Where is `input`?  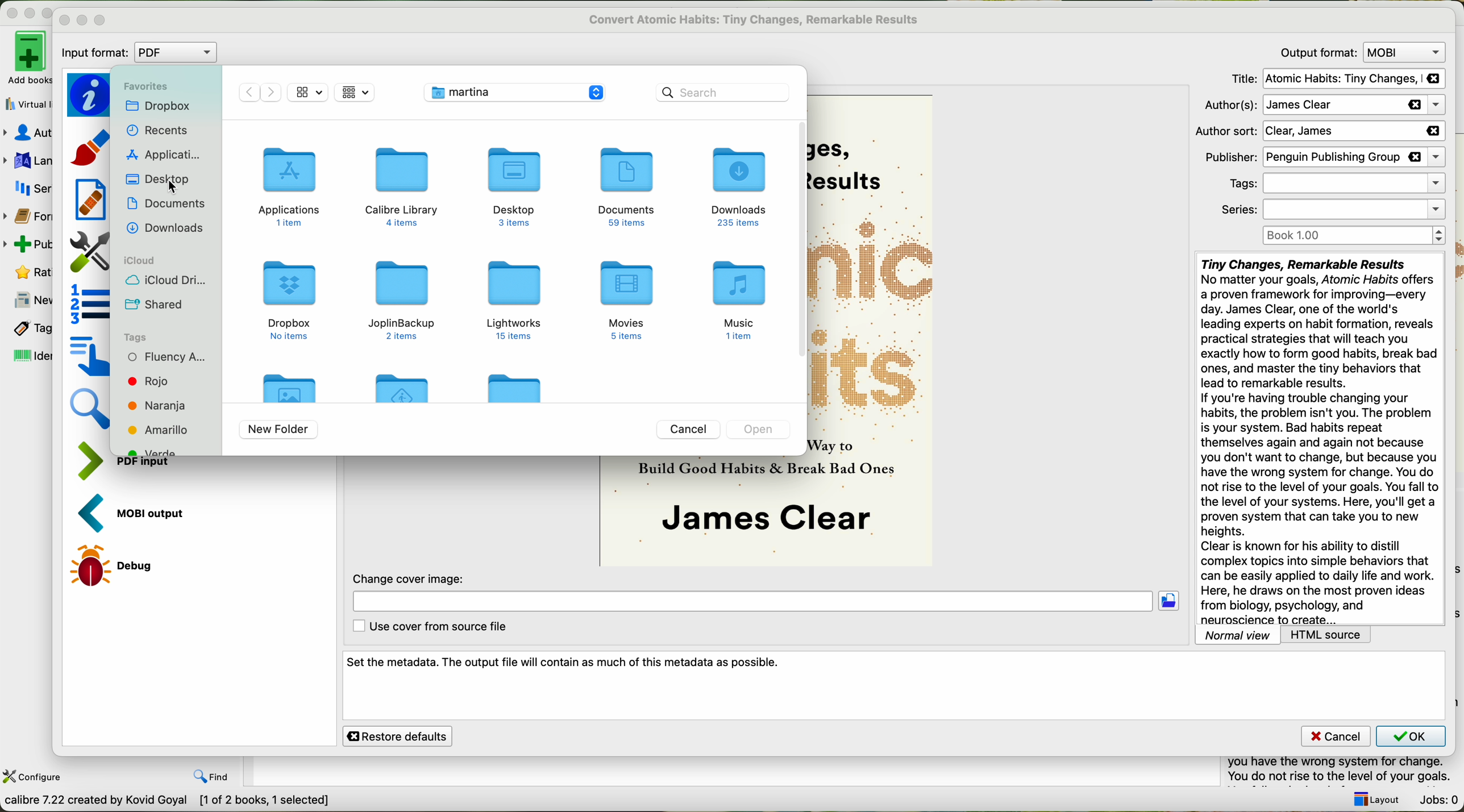
input is located at coordinates (153, 465).